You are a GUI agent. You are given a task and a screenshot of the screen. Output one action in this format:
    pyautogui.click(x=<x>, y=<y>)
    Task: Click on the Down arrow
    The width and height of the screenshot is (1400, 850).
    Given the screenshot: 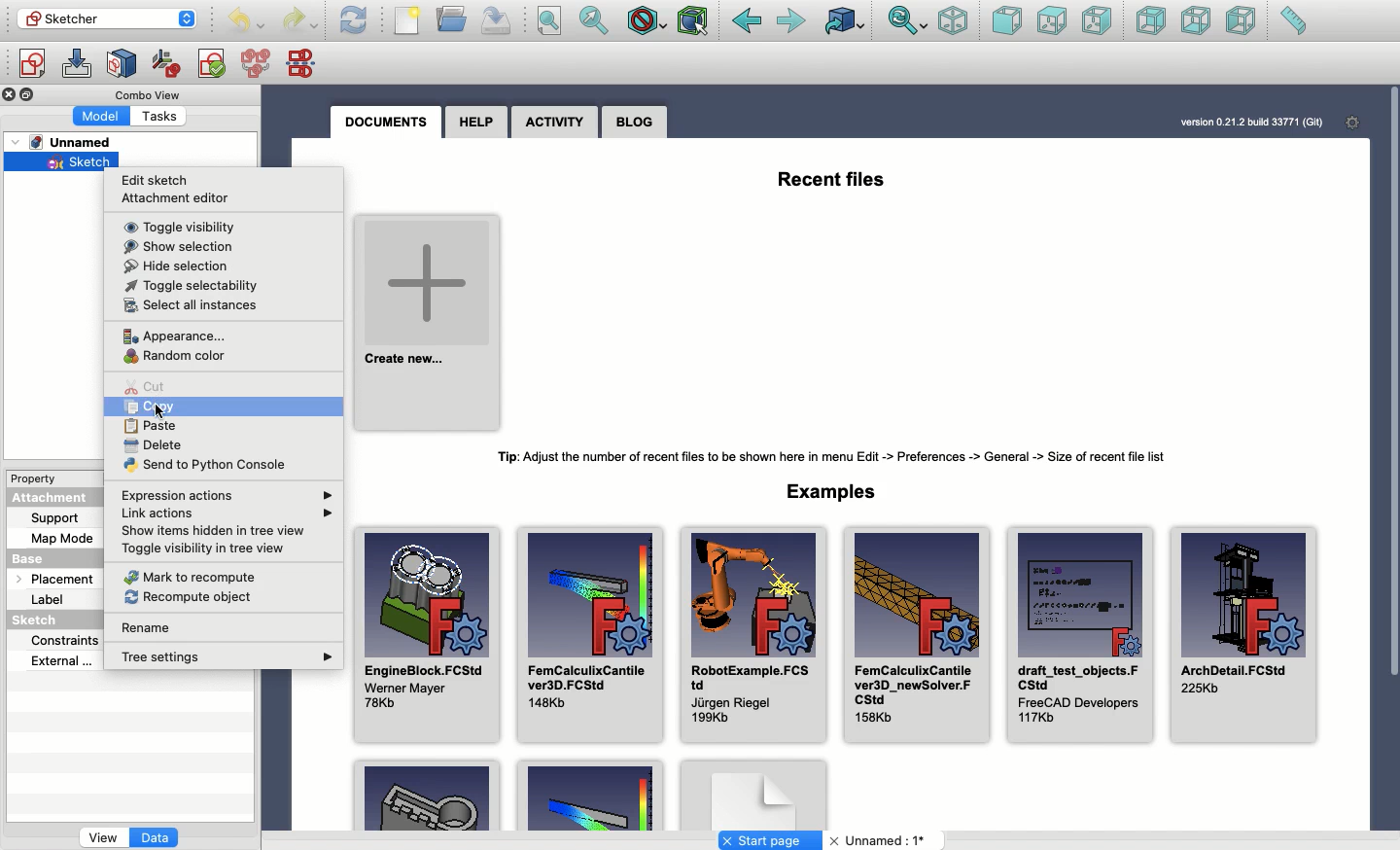 What is the action you would take?
    pyautogui.click(x=191, y=26)
    